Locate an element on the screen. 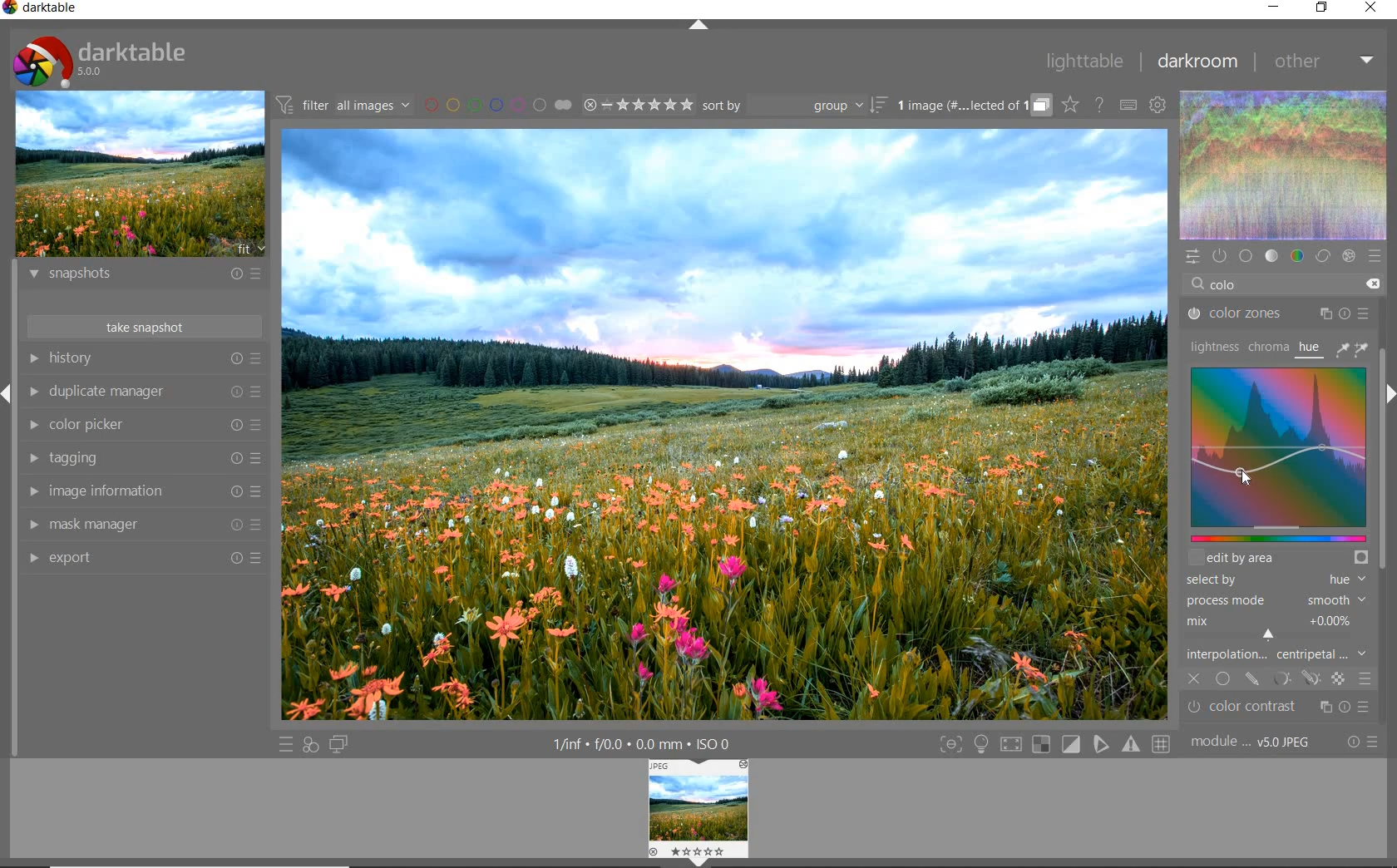 This screenshot has width=1397, height=868. process mode is located at coordinates (1275, 602).